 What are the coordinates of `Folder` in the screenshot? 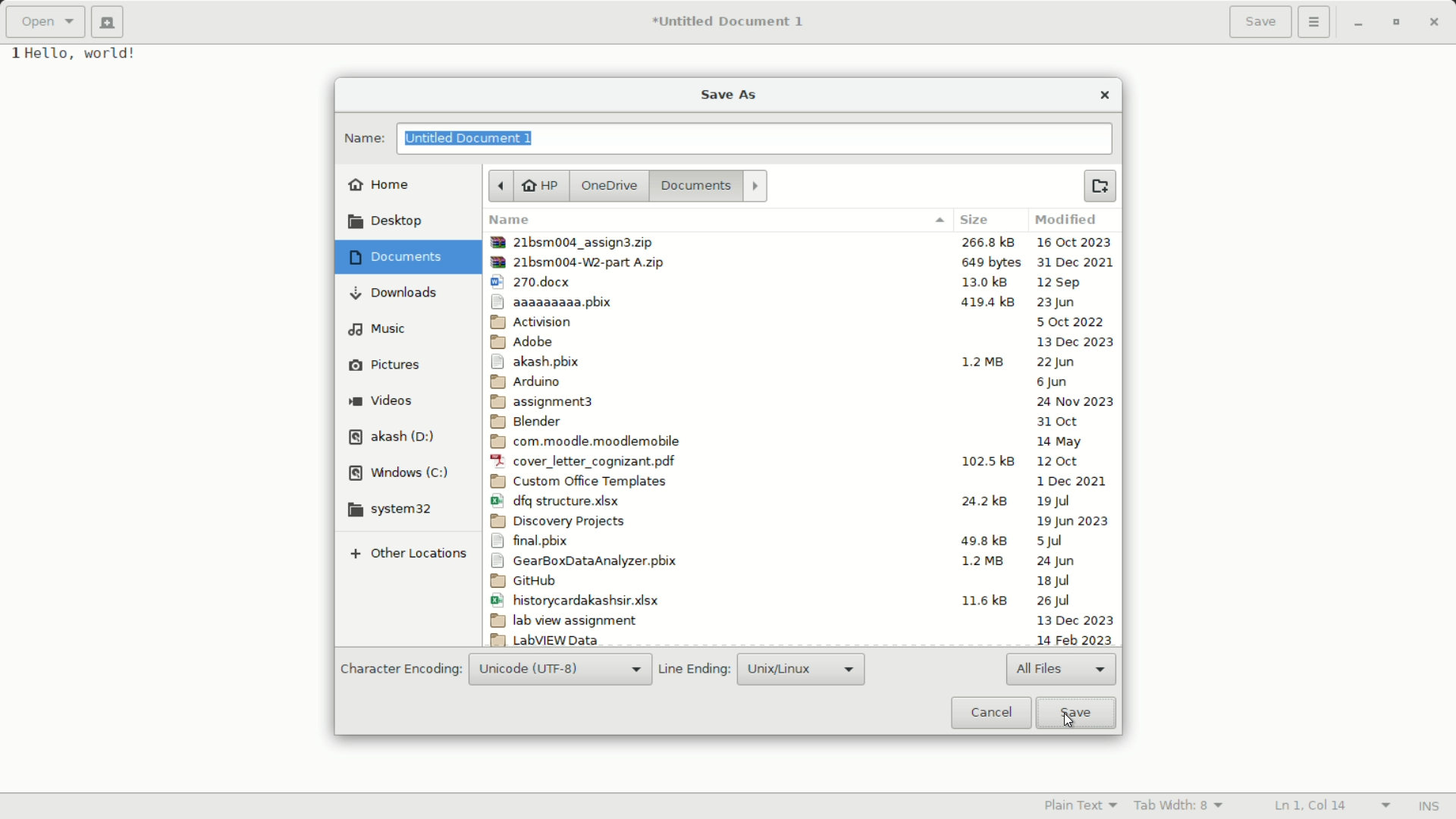 It's located at (802, 403).